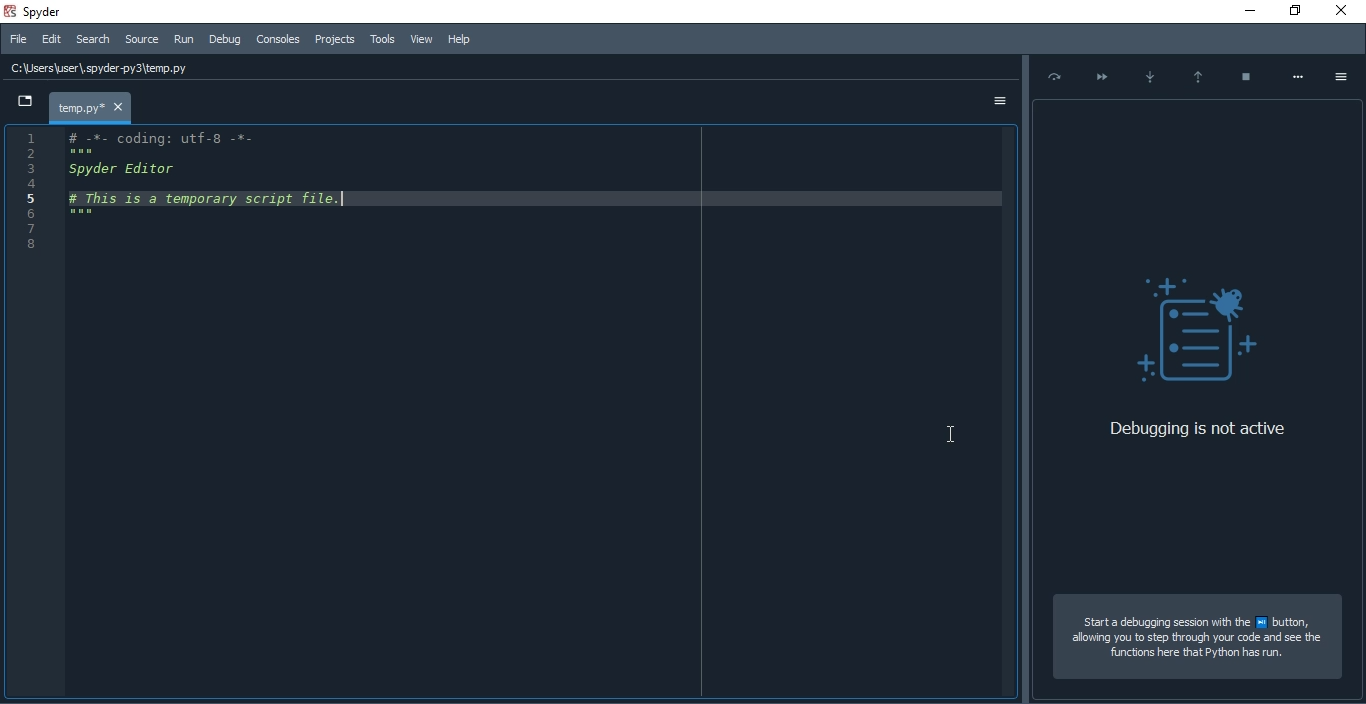  Describe the element at coordinates (1198, 71) in the screenshot. I see `Execute till; function or methods return` at that location.